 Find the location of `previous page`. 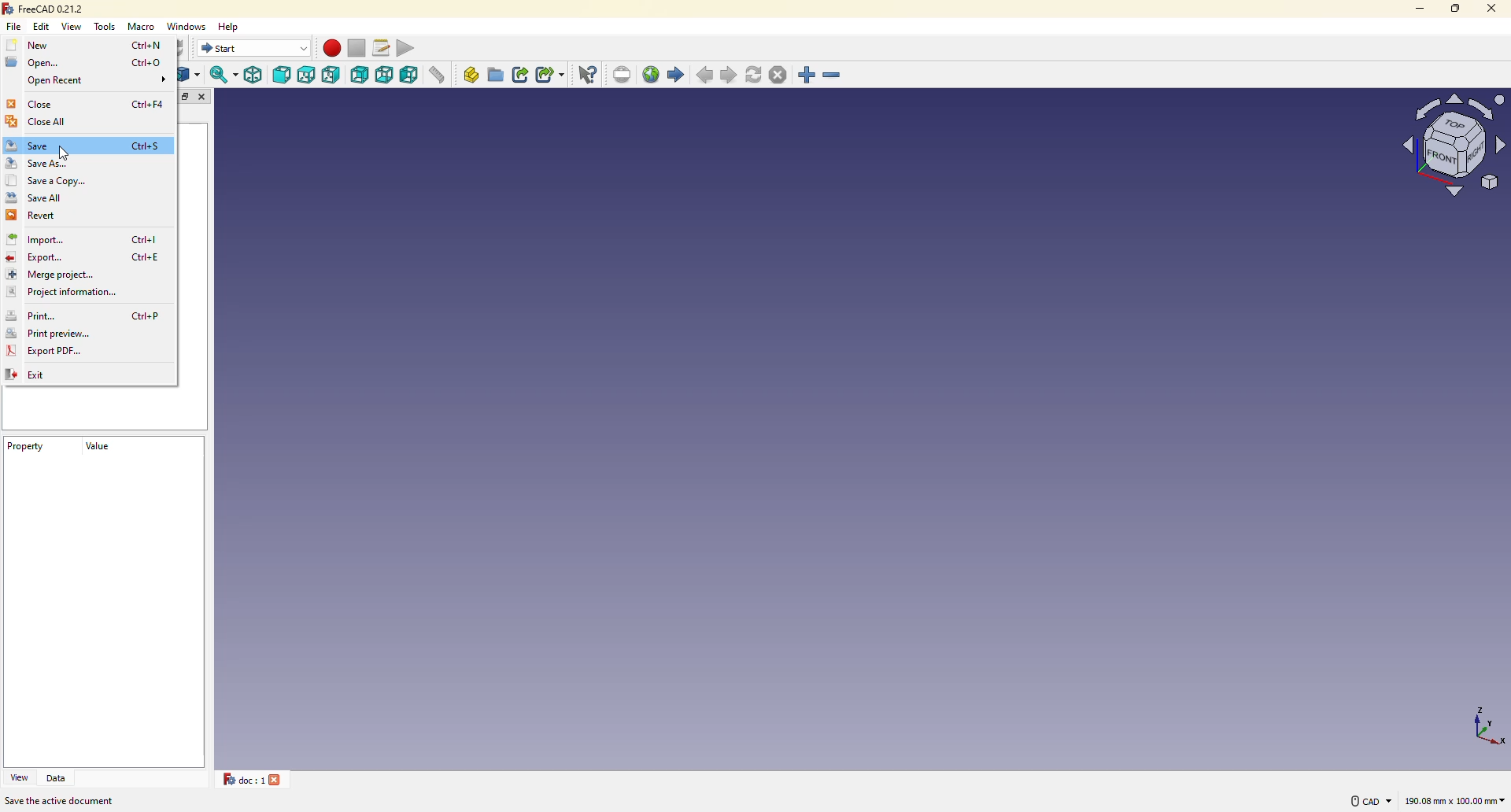

previous page is located at coordinates (707, 76).